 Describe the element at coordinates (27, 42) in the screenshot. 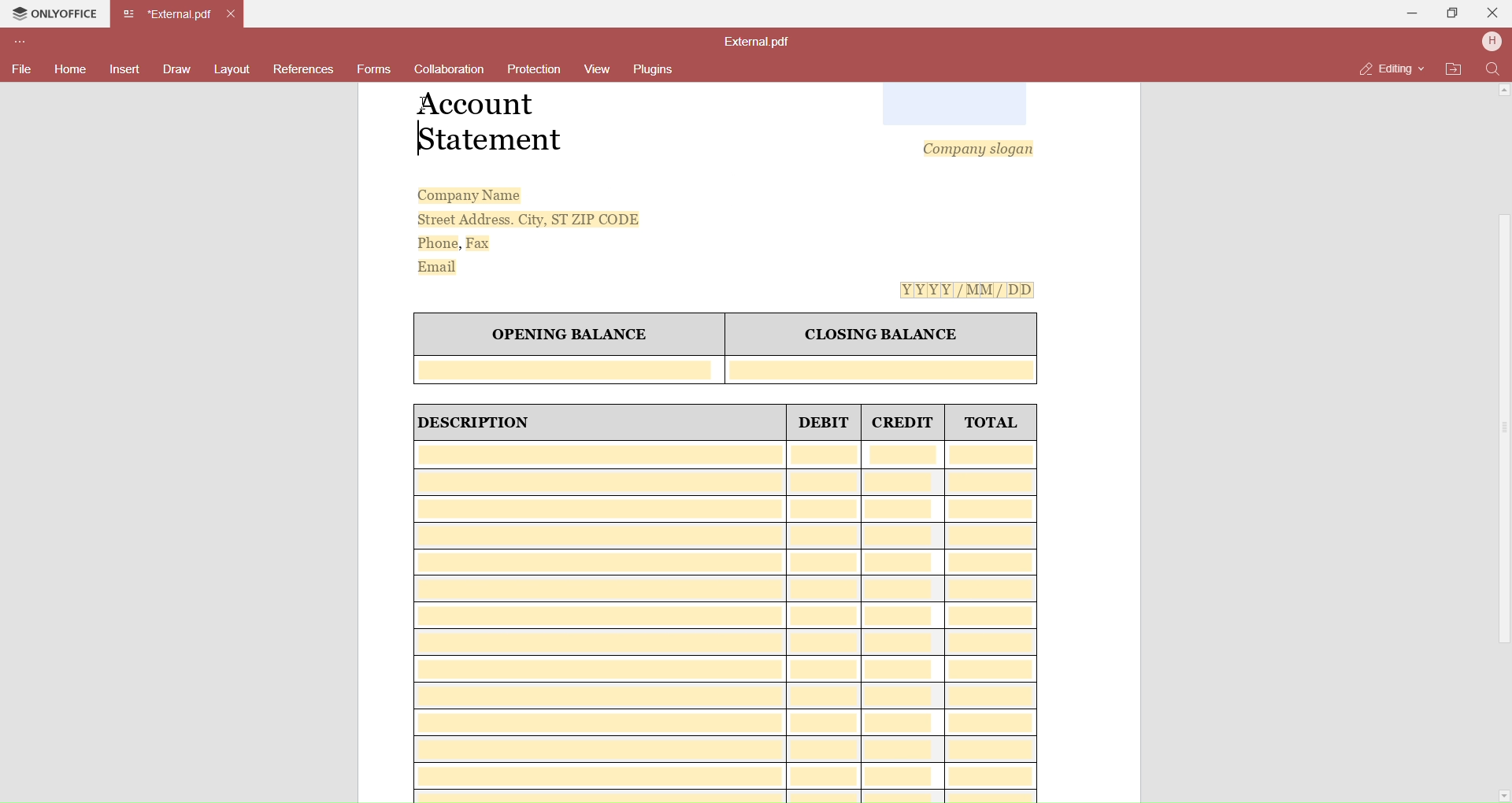

I see `Customize Toolbar` at that location.